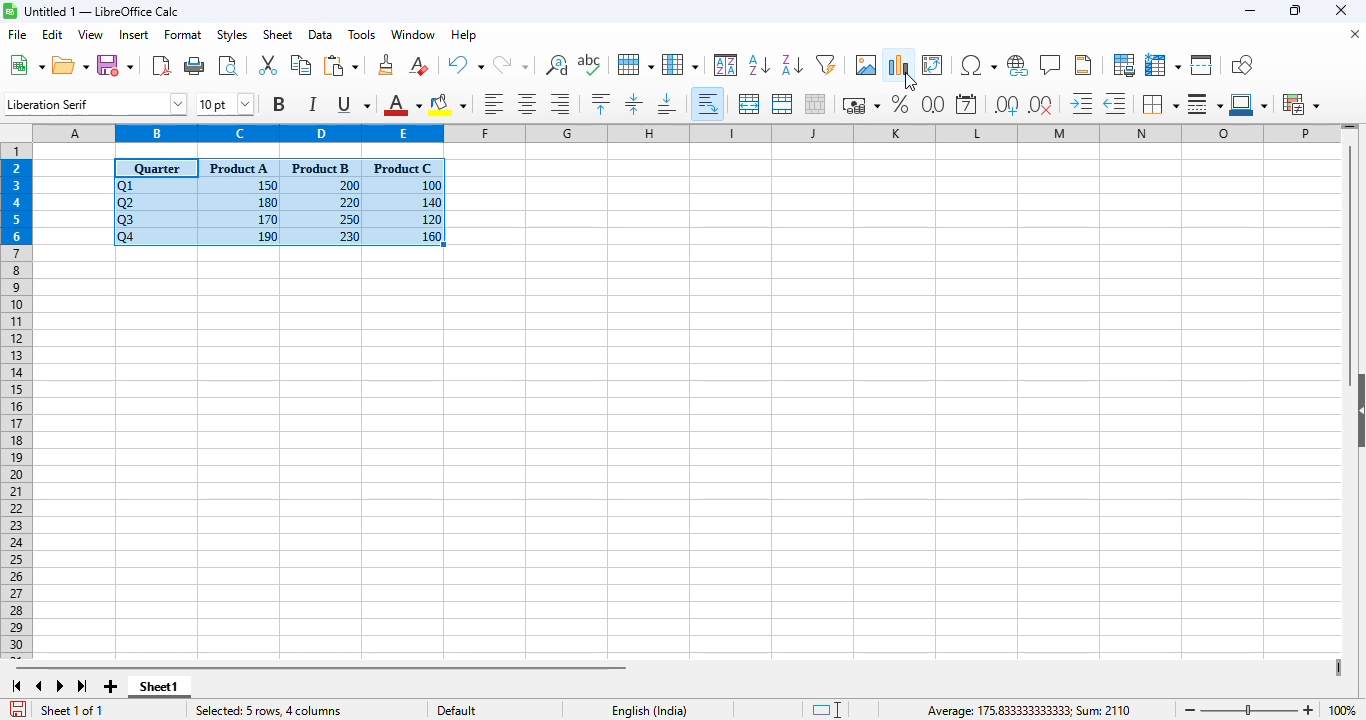 This screenshot has height=720, width=1366. What do you see at coordinates (494, 103) in the screenshot?
I see `align left` at bounding box center [494, 103].